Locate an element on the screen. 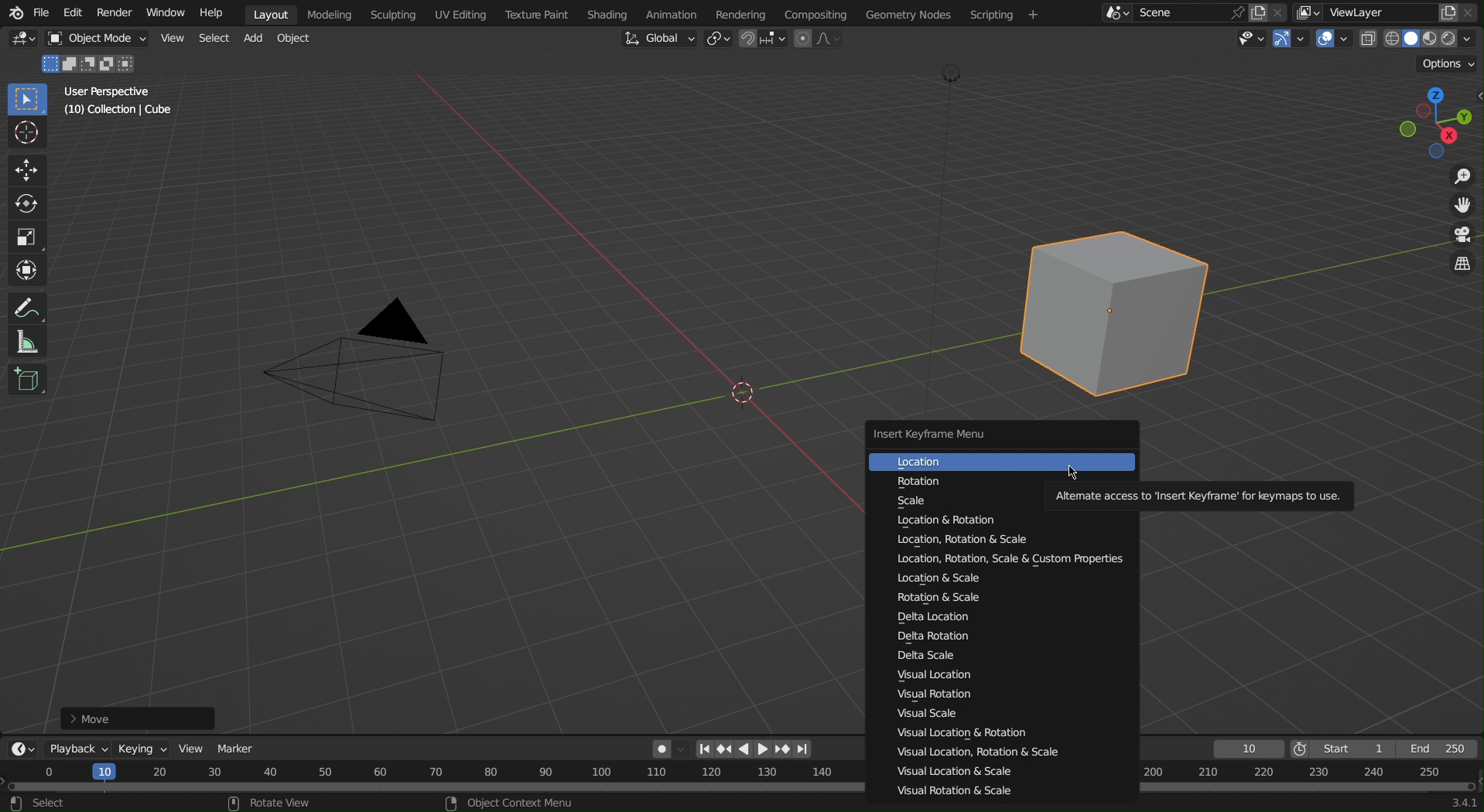  Compositing is located at coordinates (823, 12).